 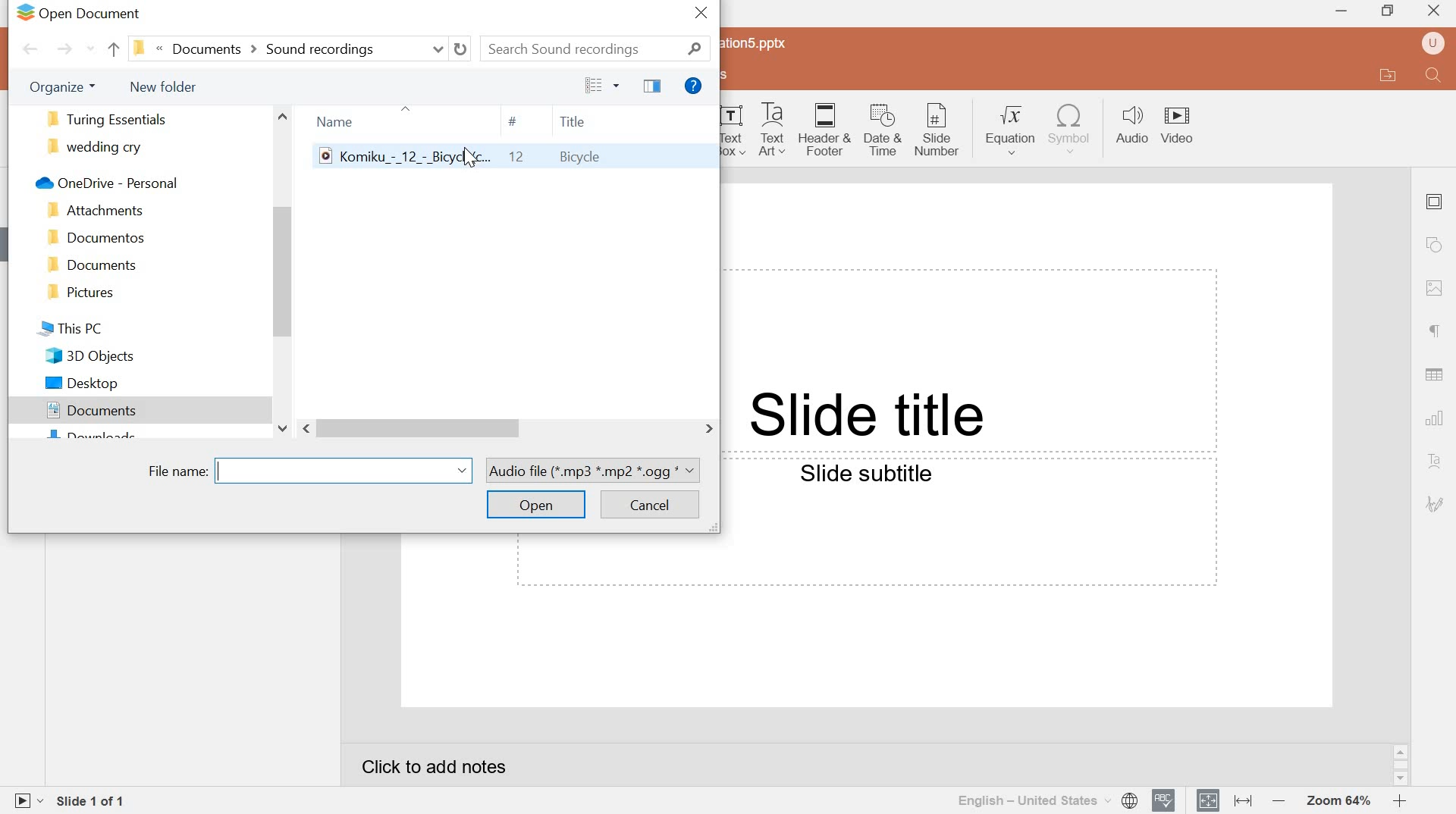 What do you see at coordinates (884, 131) in the screenshot?
I see `Date & Time` at bounding box center [884, 131].